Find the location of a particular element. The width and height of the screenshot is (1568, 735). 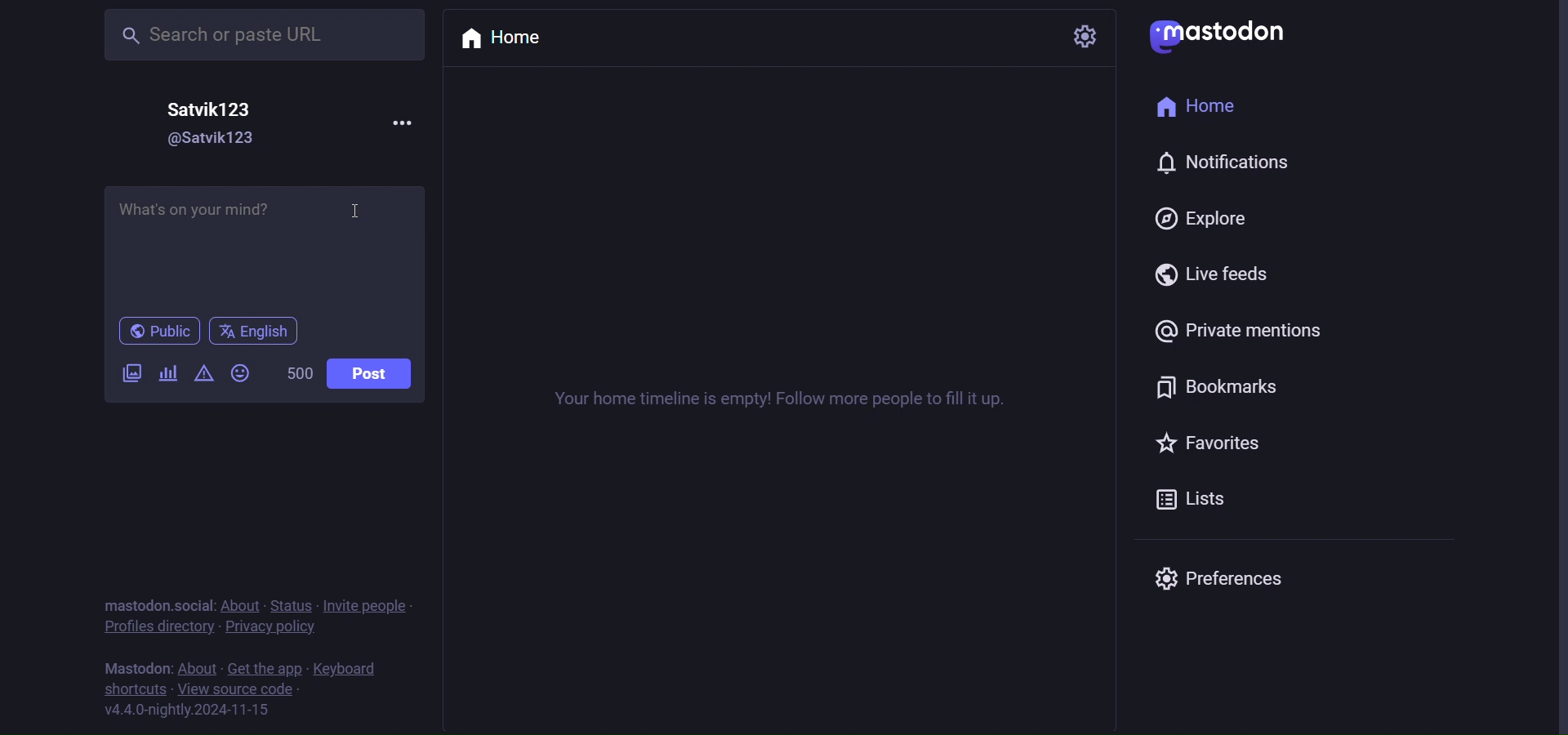

favorites is located at coordinates (1213, 444).